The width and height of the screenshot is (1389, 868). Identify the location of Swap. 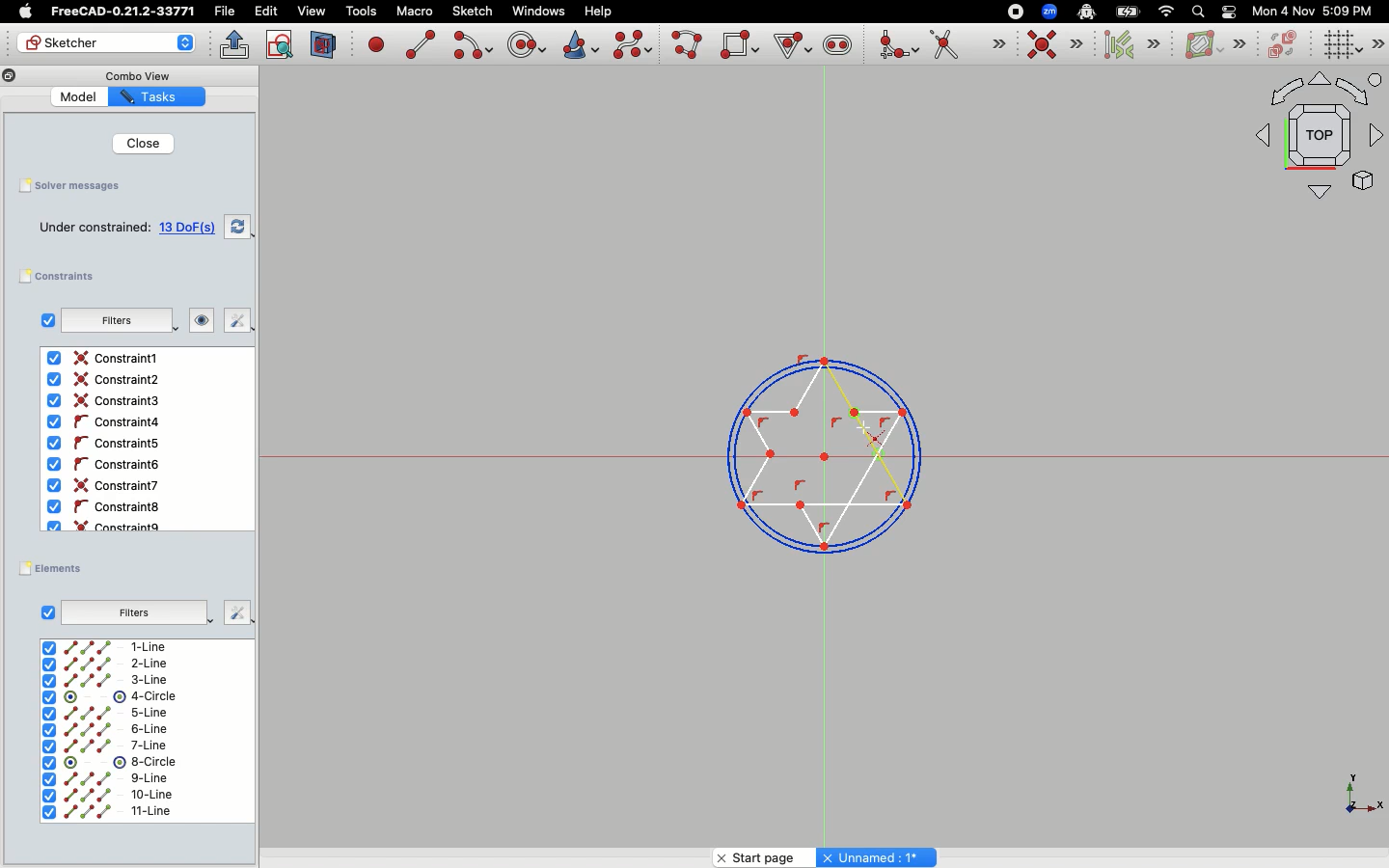
(239, 225).